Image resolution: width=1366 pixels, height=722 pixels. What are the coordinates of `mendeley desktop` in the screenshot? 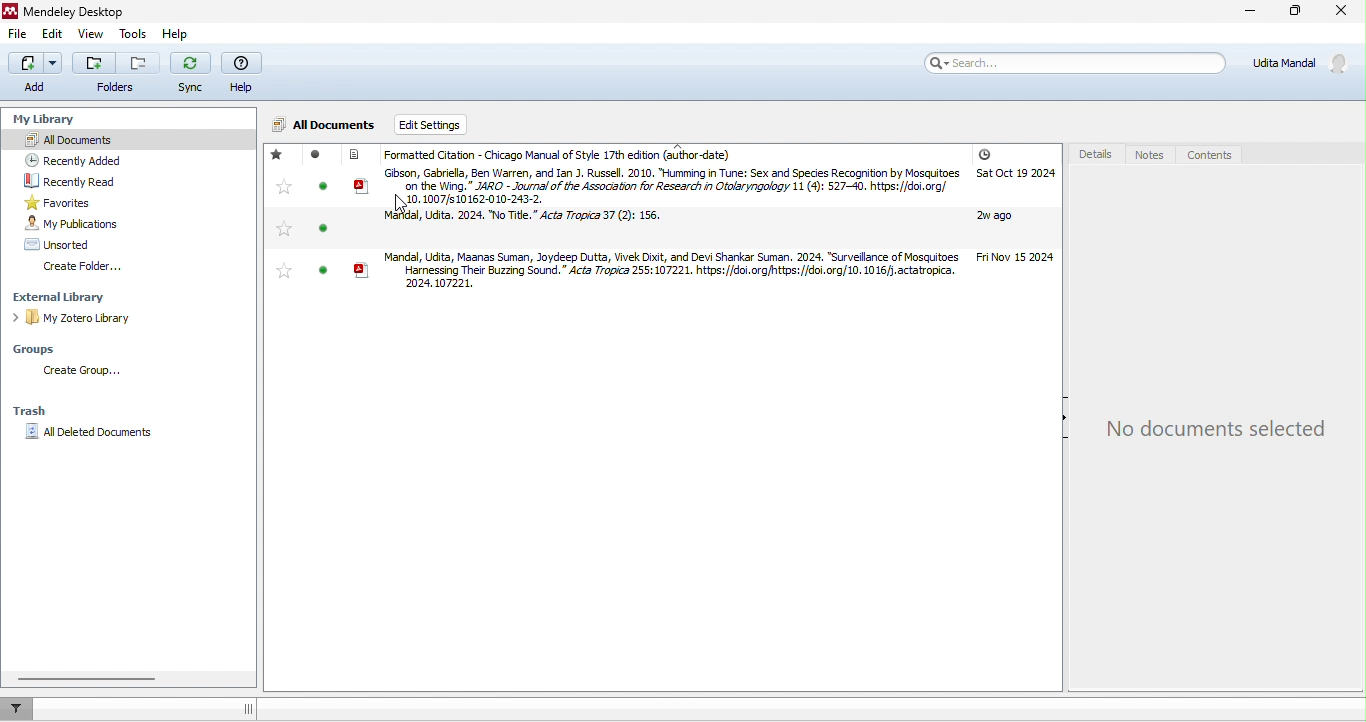 It's located at (91, 10).